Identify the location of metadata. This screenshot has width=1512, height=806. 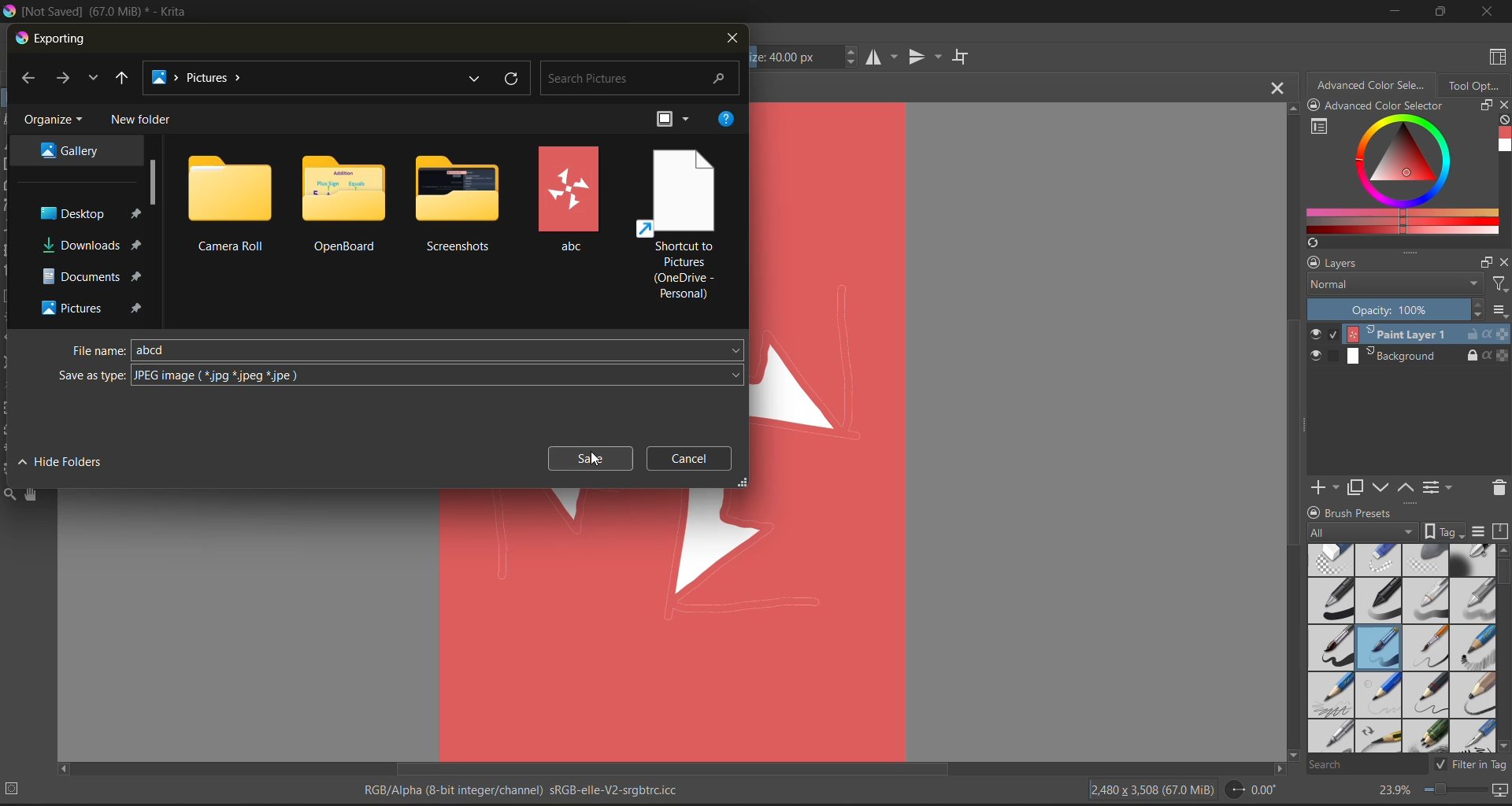
(530, 787).